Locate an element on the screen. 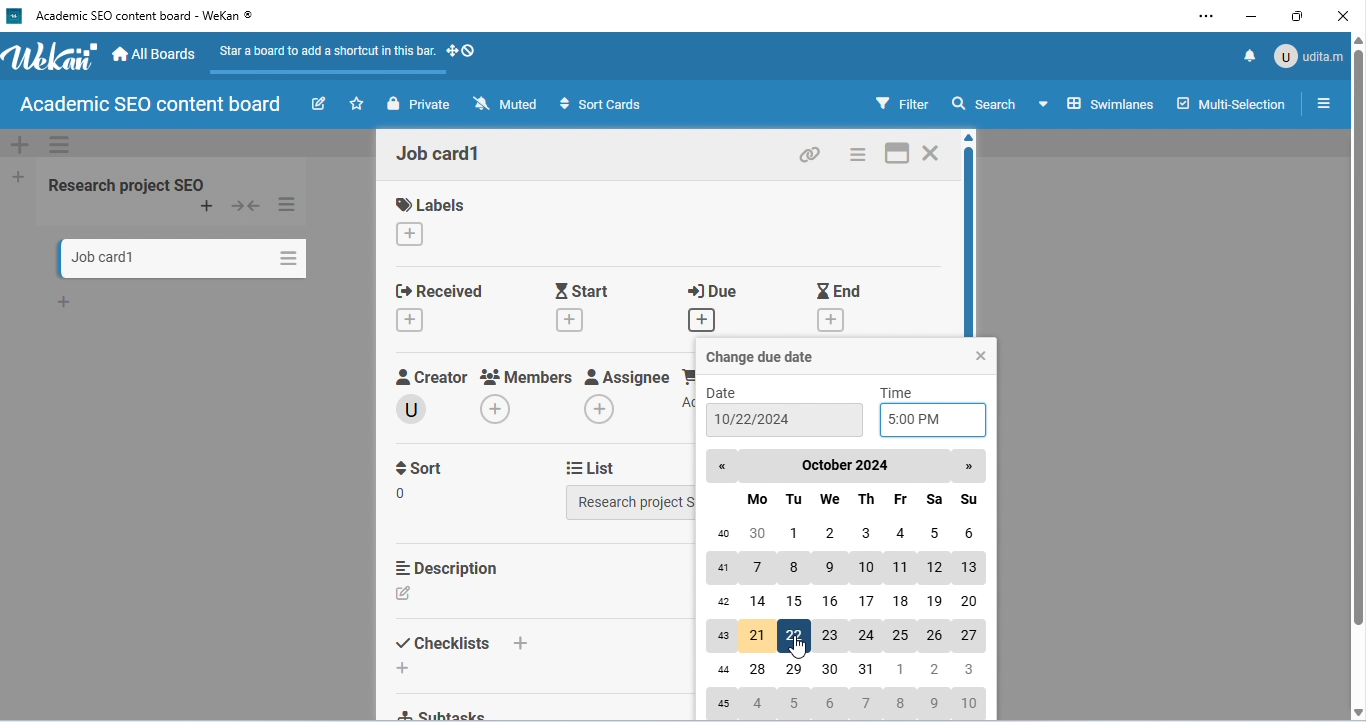 This screenshot has width=1366, height=722. add swimelane is located at coordinates (21, 145).